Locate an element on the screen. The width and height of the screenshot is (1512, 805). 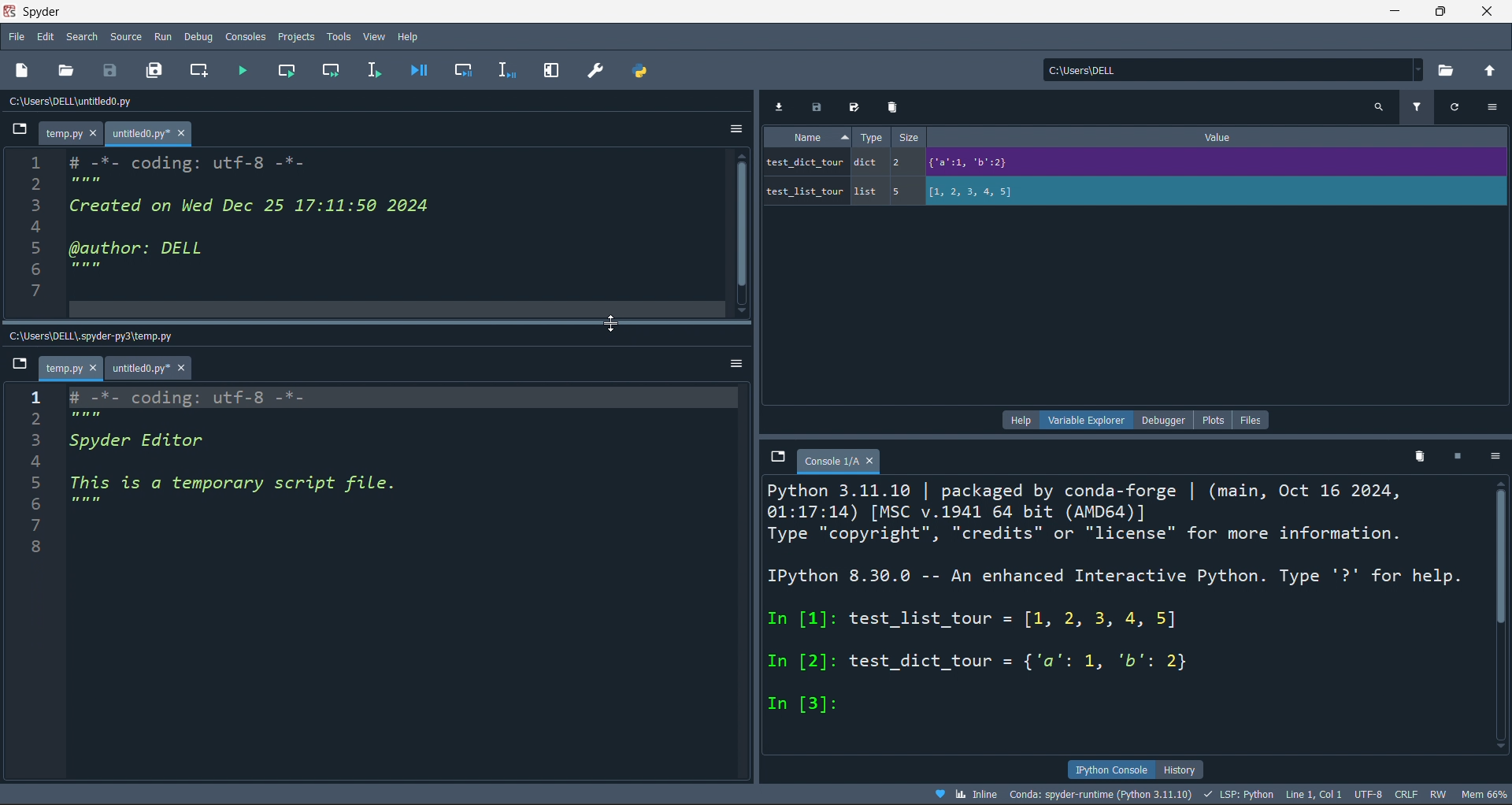
save all files is located at coordinates (155, 70).